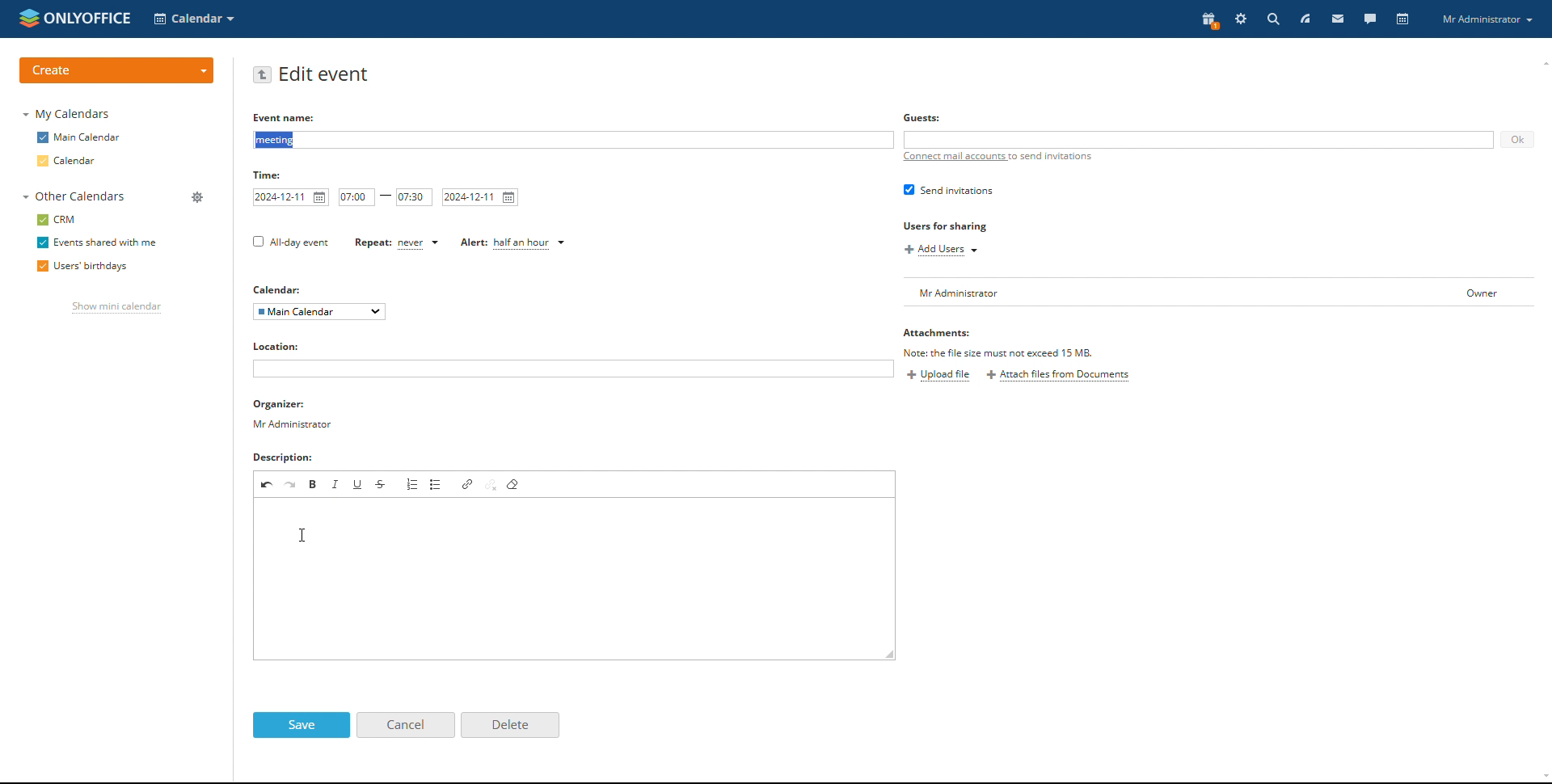  What do you see at coordinates (59, 219) in the screenshot?
I see `crm` at bounding box center [59, 219].